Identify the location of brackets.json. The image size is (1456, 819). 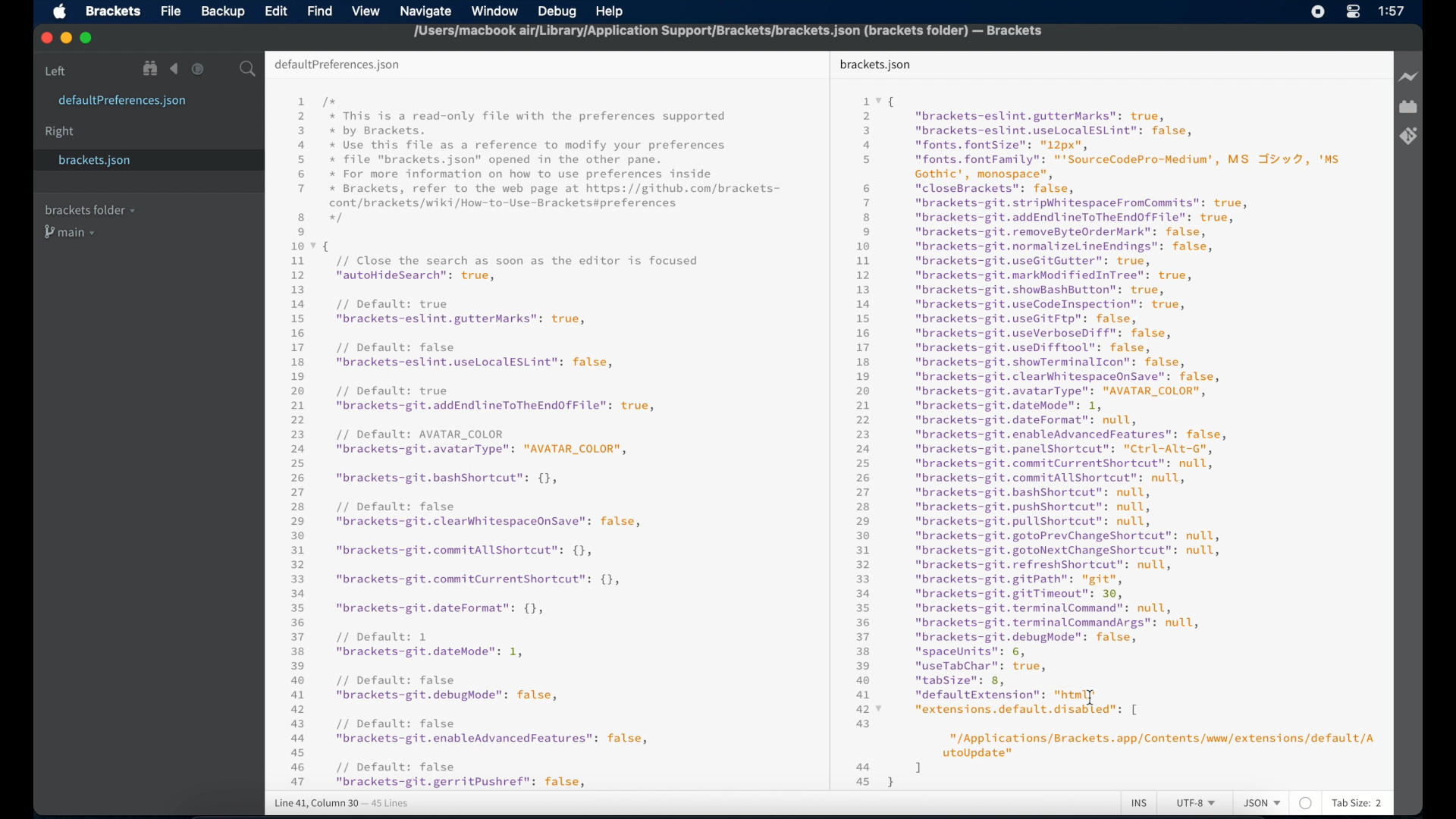
(111, 161).